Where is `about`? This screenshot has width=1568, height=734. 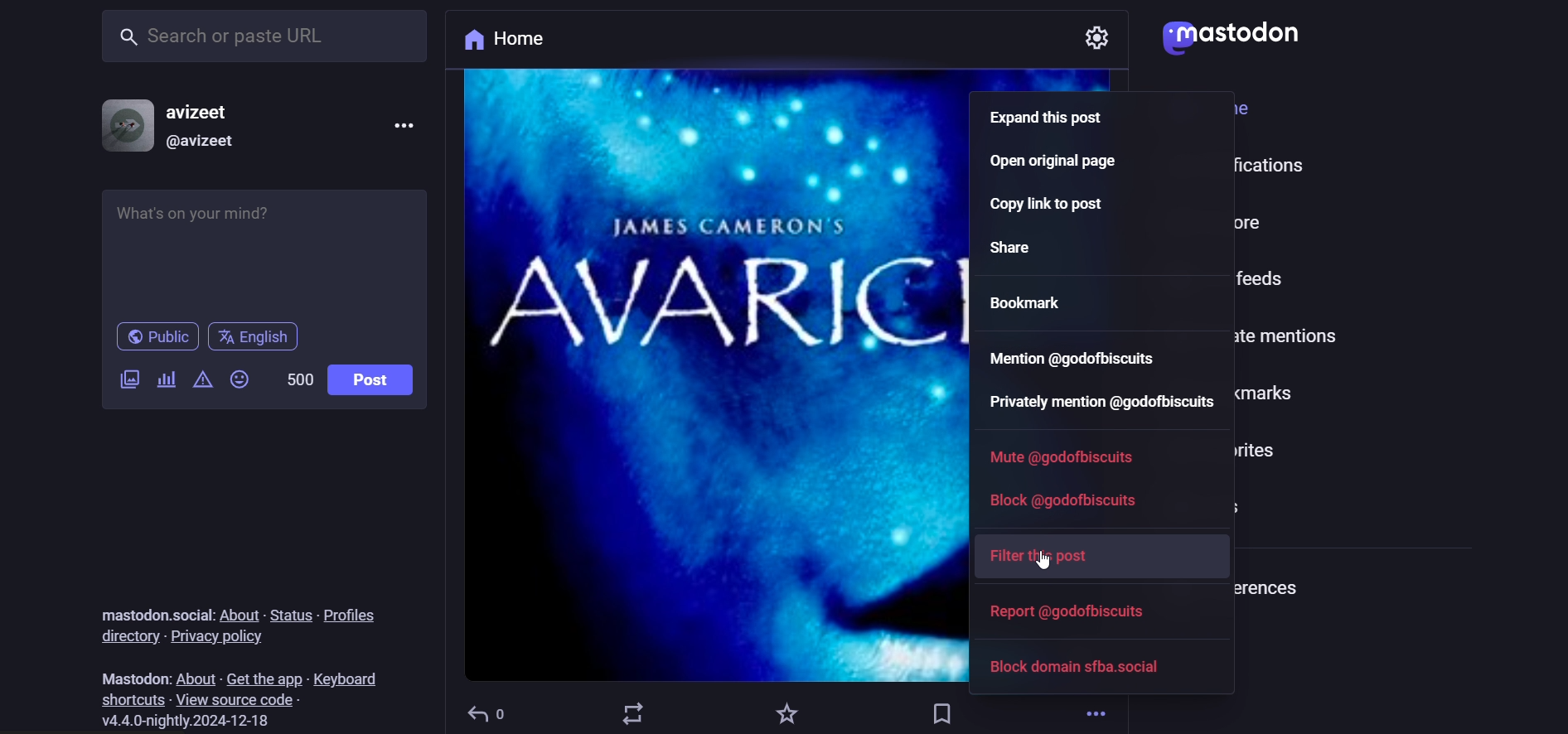
about is located at coordinates (239, 612).